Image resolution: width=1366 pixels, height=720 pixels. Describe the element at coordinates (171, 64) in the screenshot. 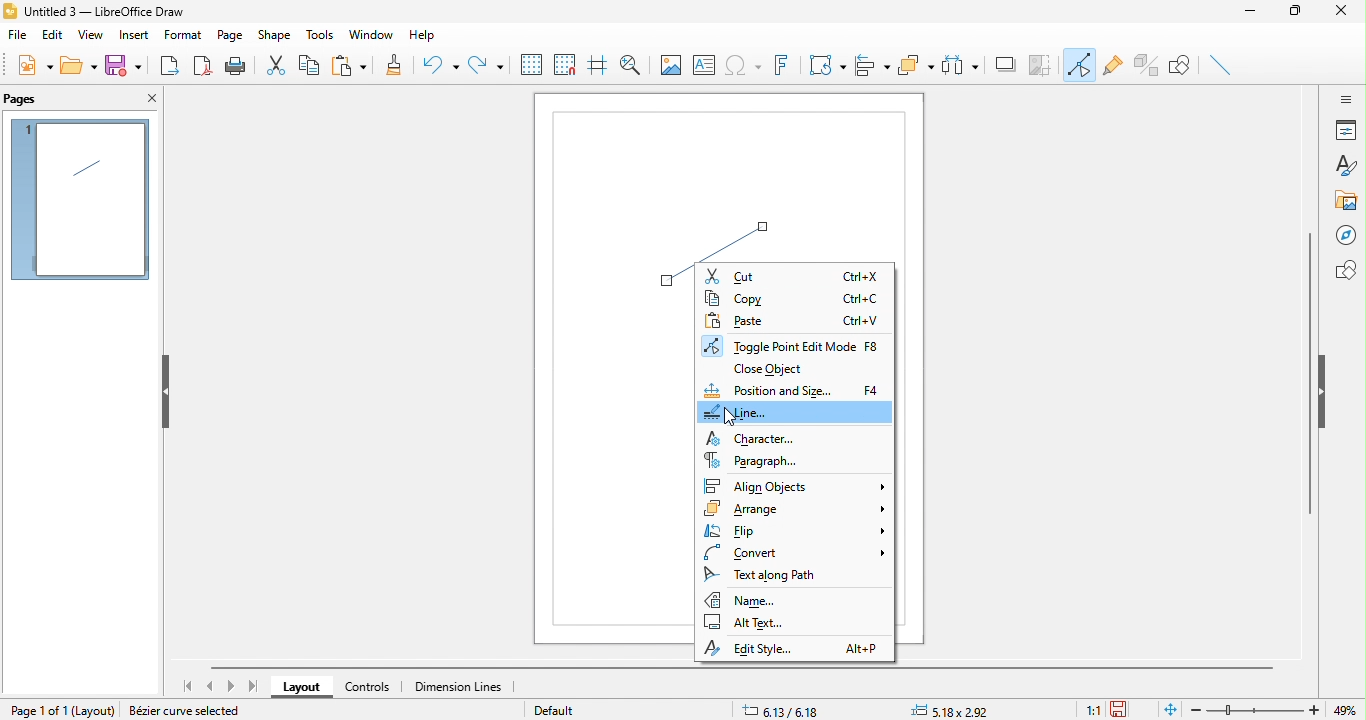

I see `export` at that location.